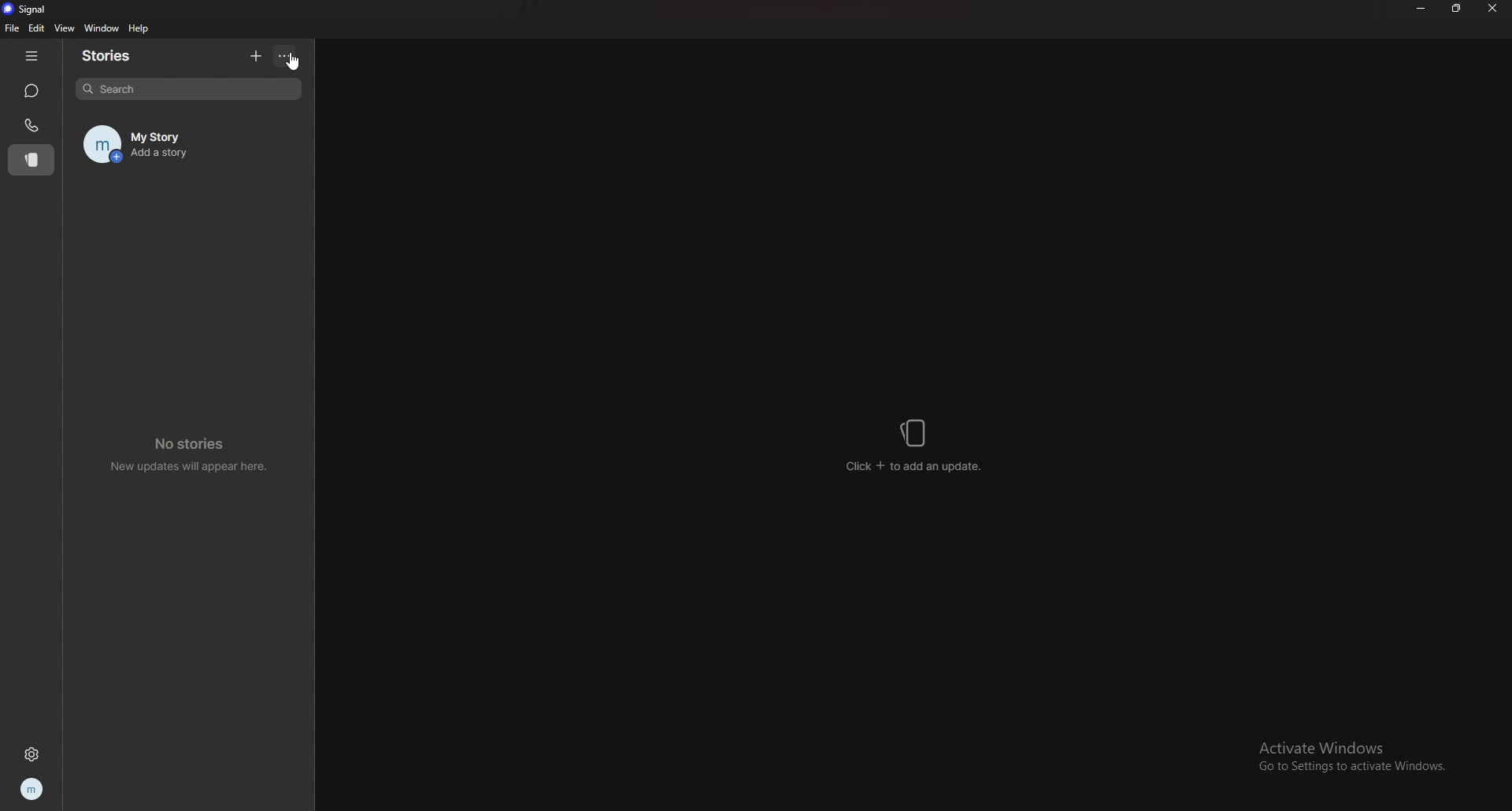 The image size is (1512, 811). Describe the element at coordinates (30, 756) in the screenshot. I see `settings` at that location.